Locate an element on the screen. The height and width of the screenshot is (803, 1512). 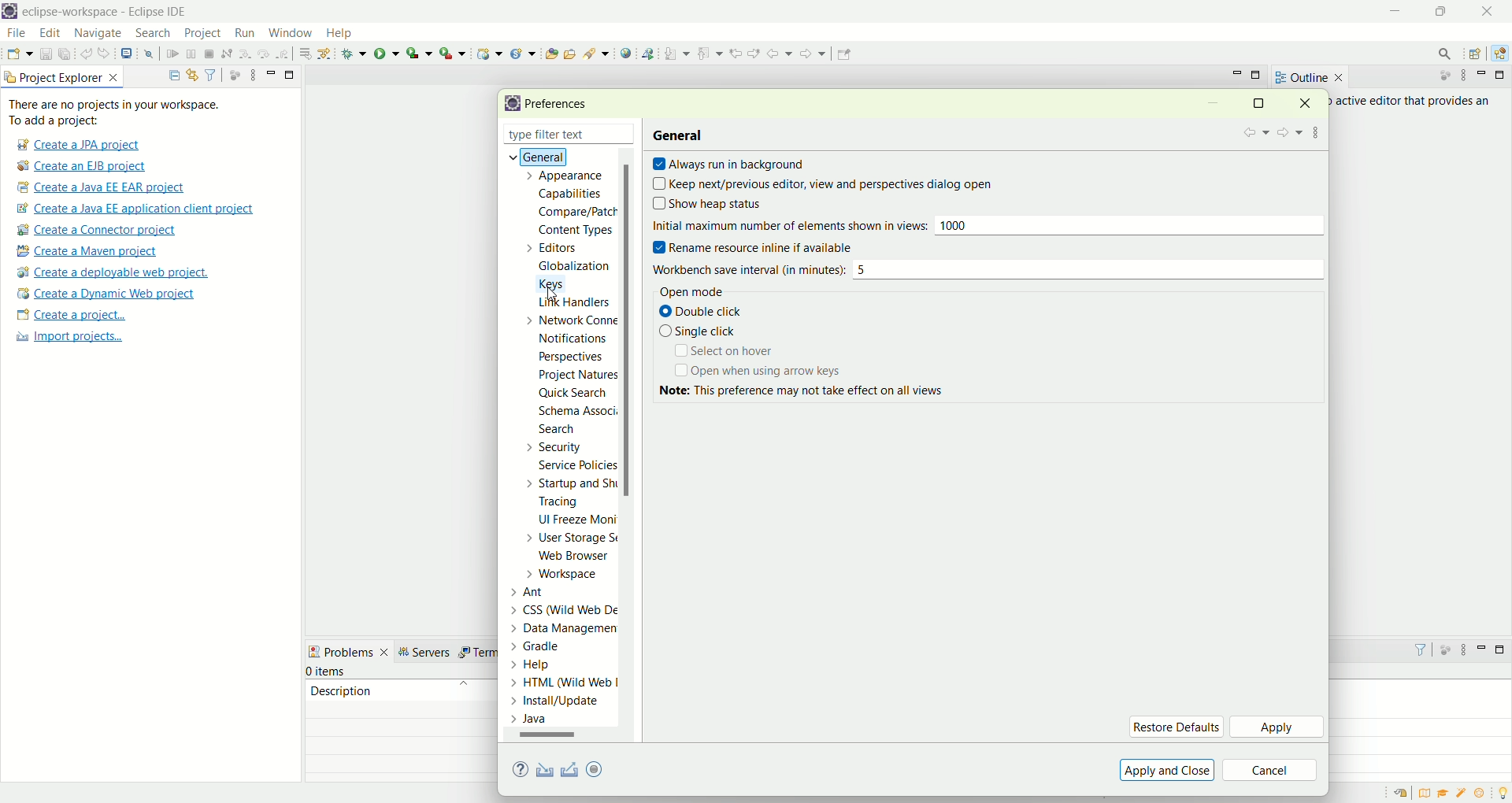
maximize is located at coordinates (1258, 76).